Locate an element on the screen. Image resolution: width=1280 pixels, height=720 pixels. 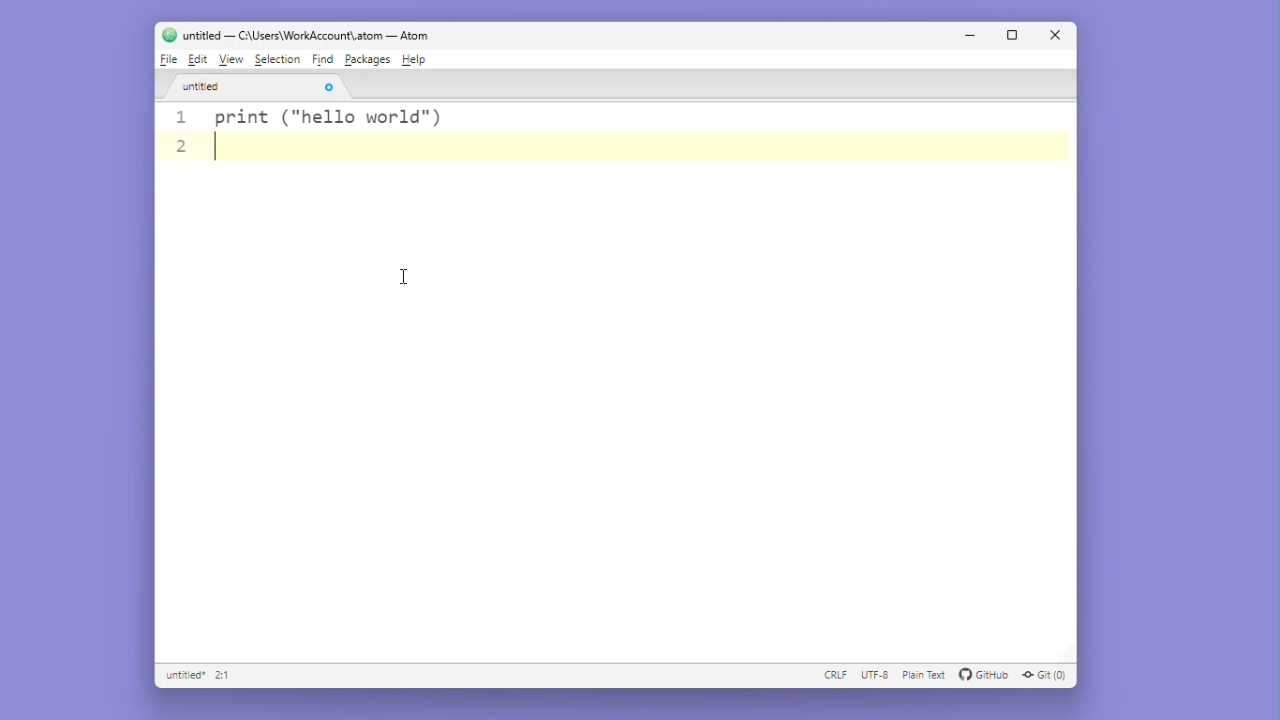
Selection is located at coordinates (278, 60).